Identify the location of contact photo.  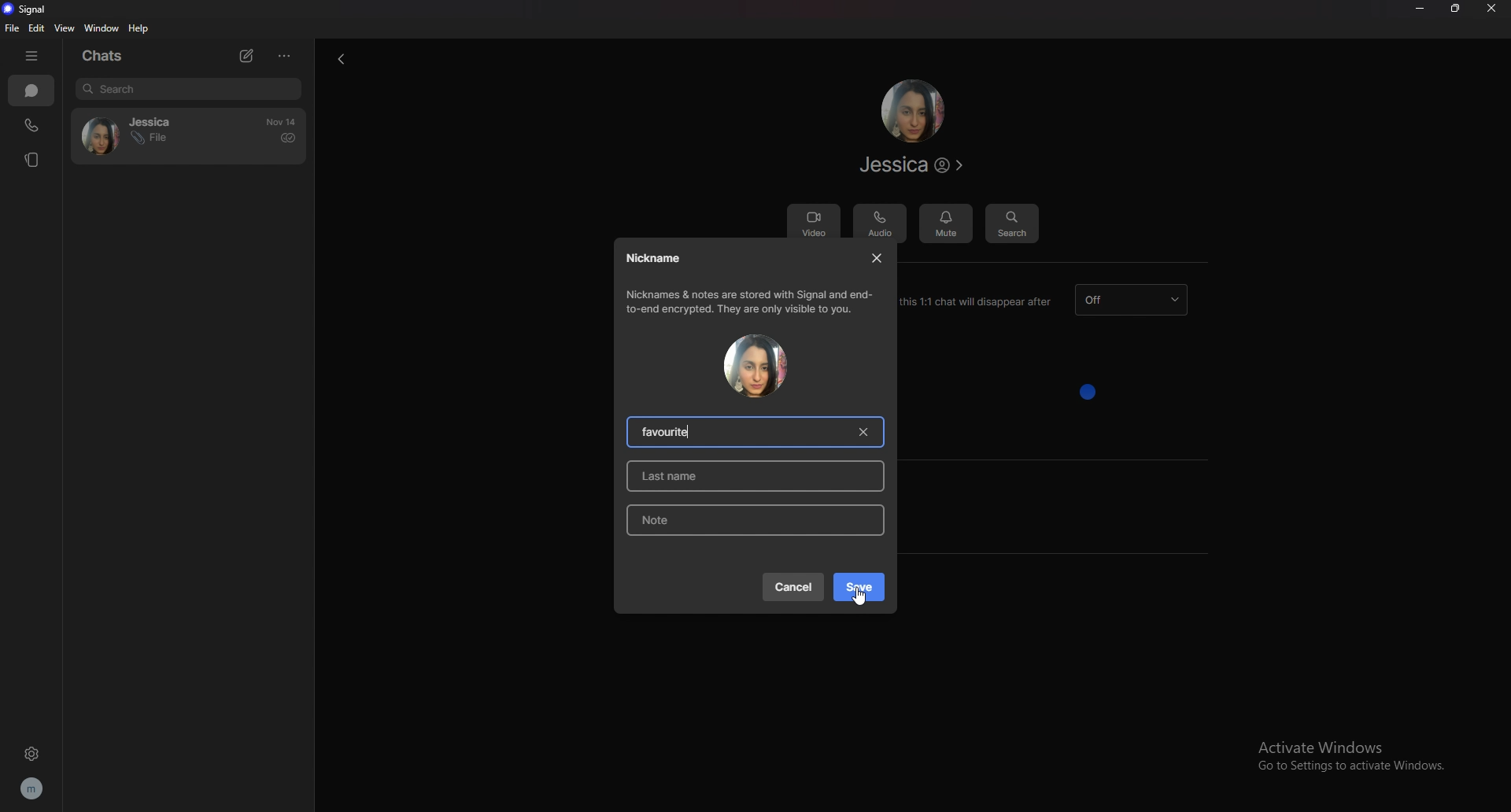
(755, 366).